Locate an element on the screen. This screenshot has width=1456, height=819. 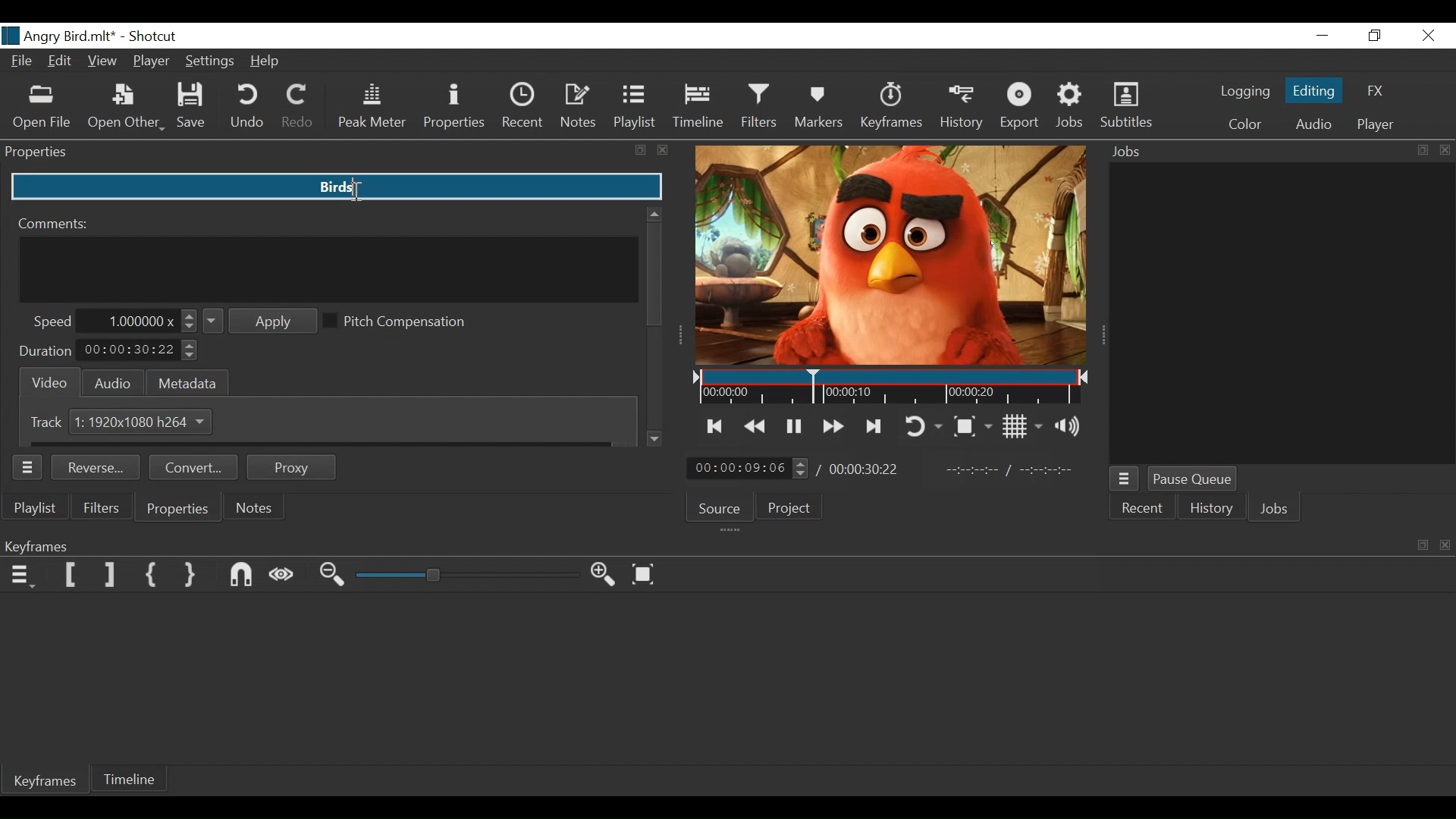
Player is located at coordinates (152, 61).